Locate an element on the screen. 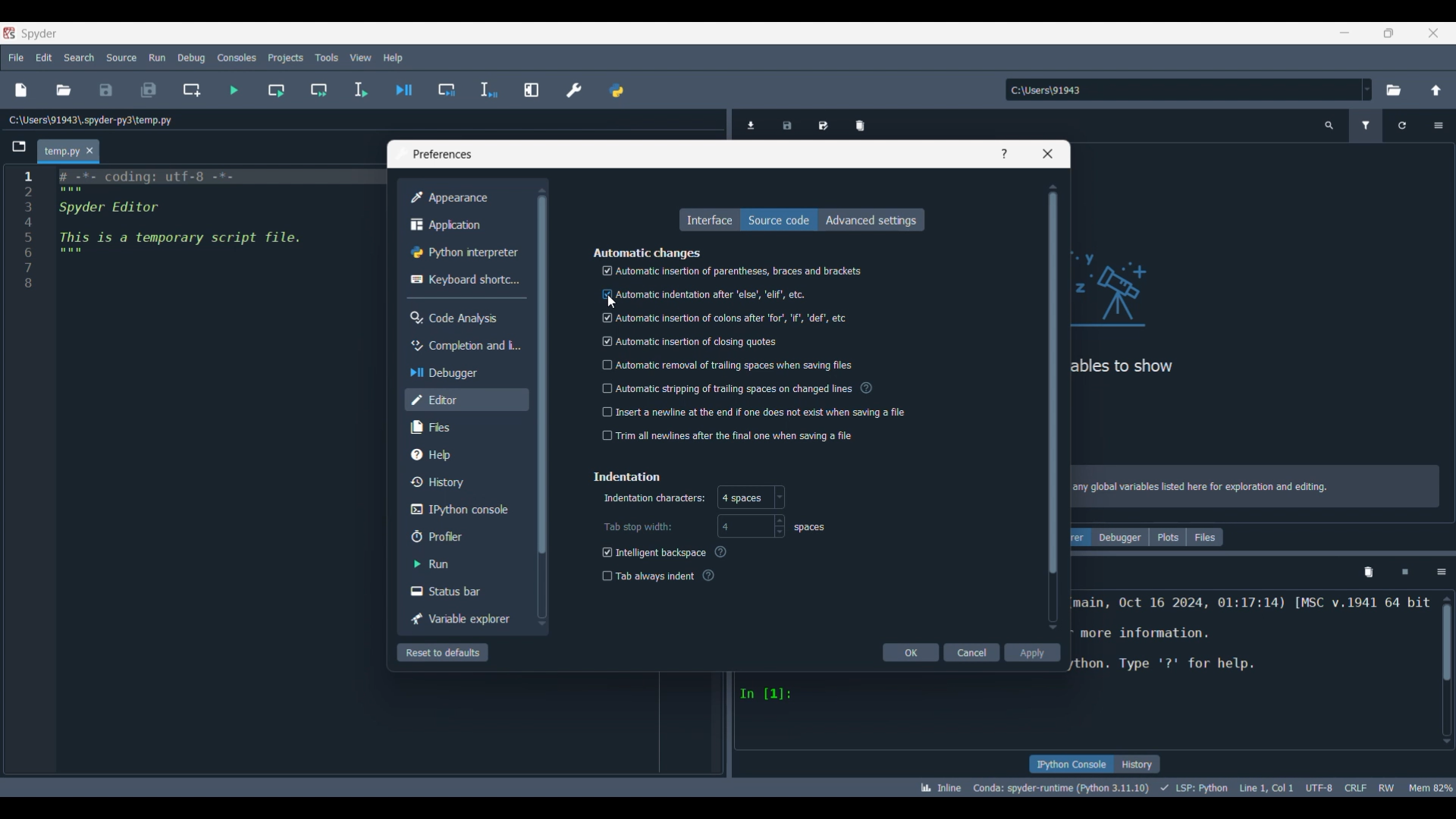  Maximize current pane is located at coordinates (532, 90).